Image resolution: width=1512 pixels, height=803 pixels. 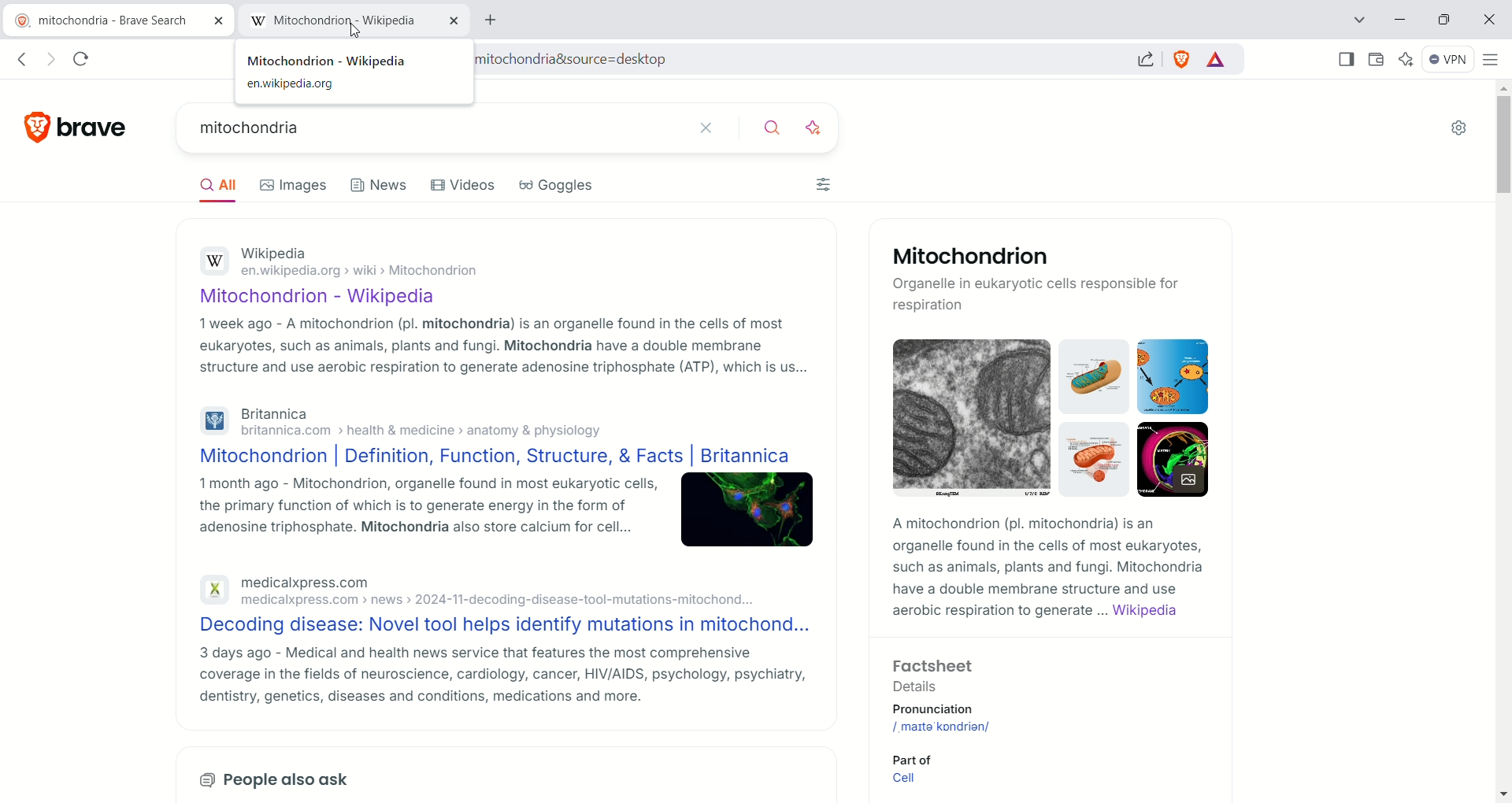 What do you see at coordinates (295, 186) in the screenshot?
I see `images` at bounding box center [295, 186].